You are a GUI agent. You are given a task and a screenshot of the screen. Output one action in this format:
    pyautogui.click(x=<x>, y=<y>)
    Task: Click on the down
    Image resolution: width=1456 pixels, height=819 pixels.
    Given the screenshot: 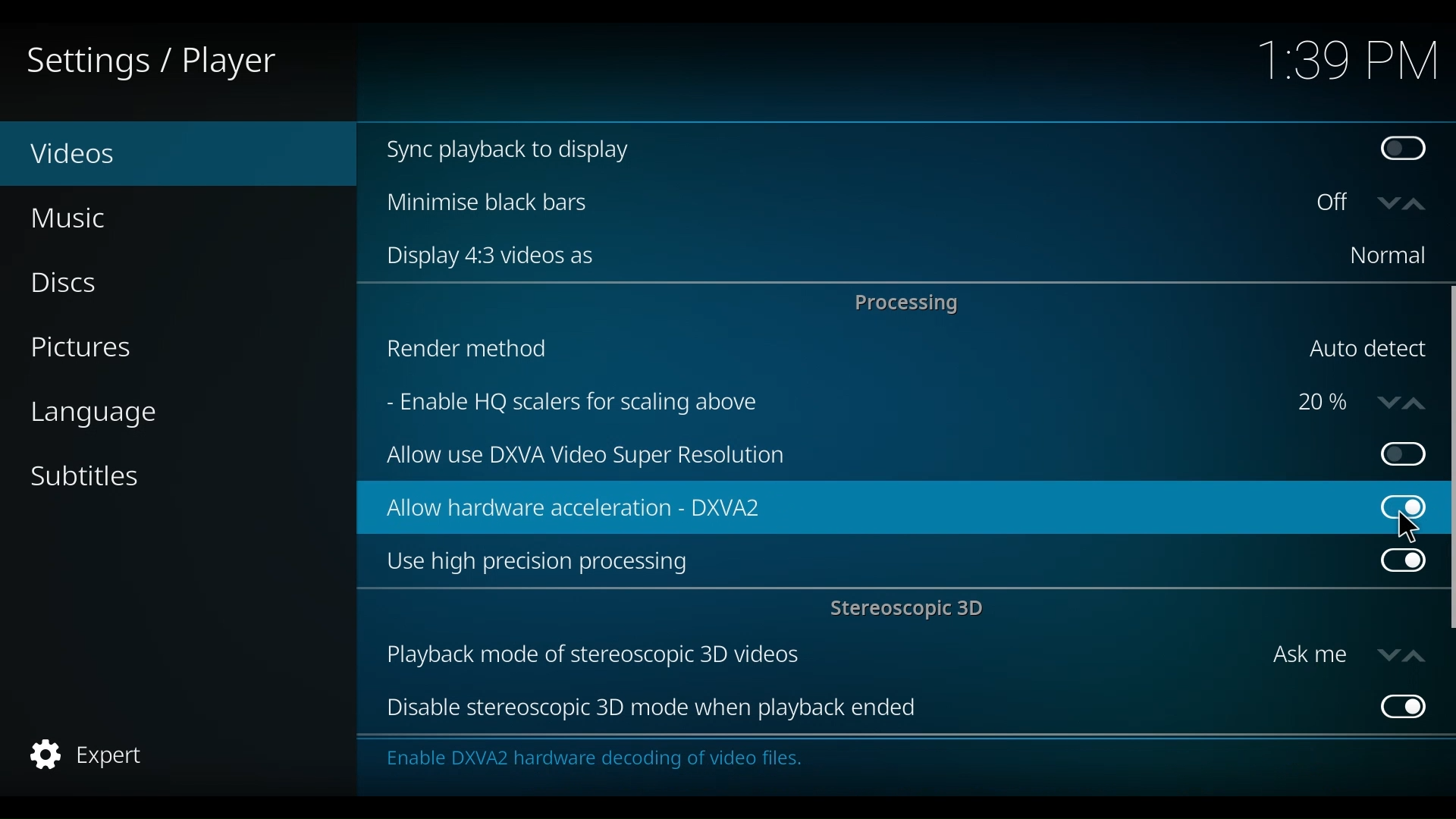 What is the action you would take?
    pyautogui.click(x=1389, y=203)
    